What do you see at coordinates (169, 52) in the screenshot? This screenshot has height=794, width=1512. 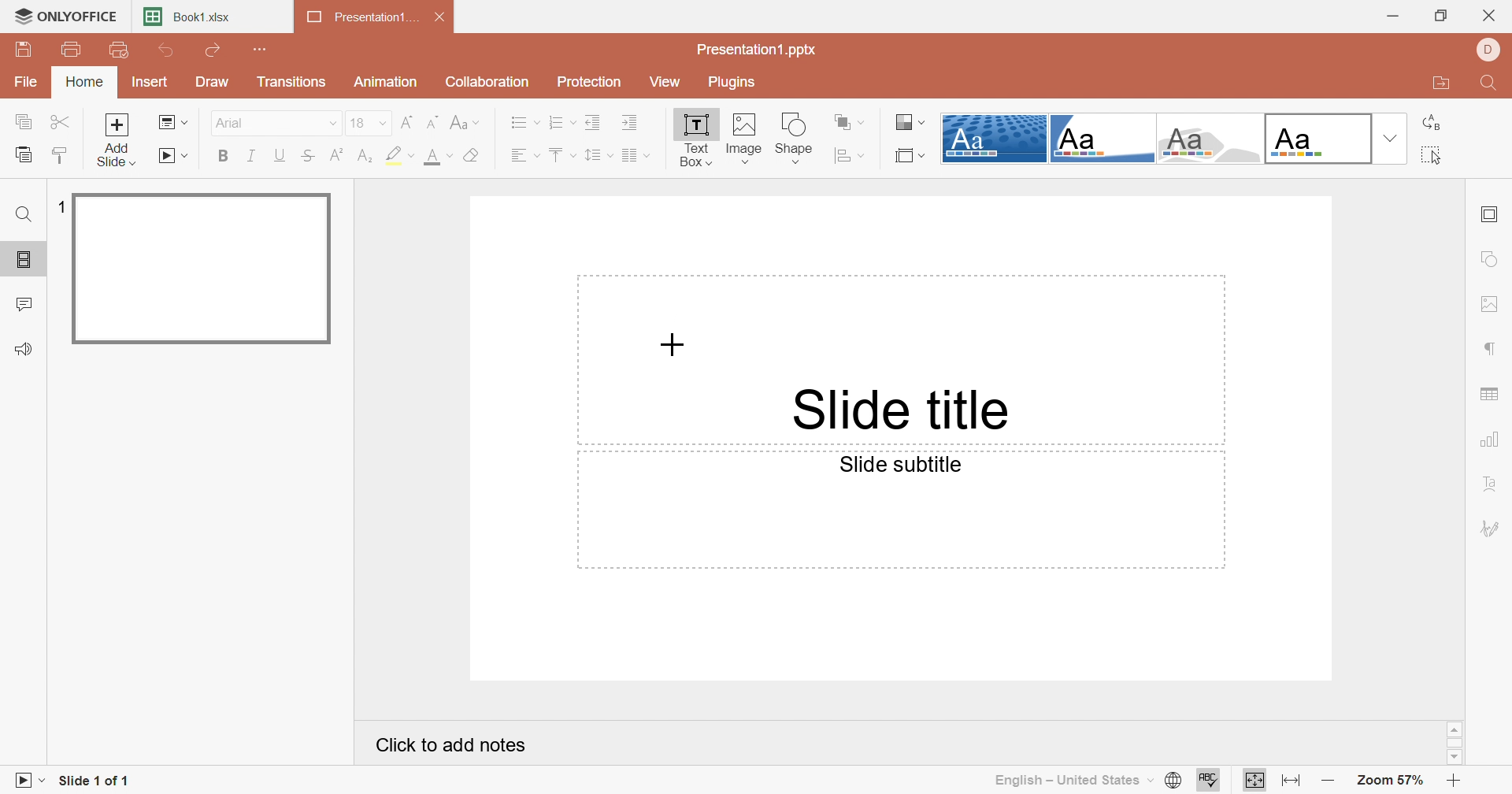 I see `Undo` at bounding box center [169, 52].